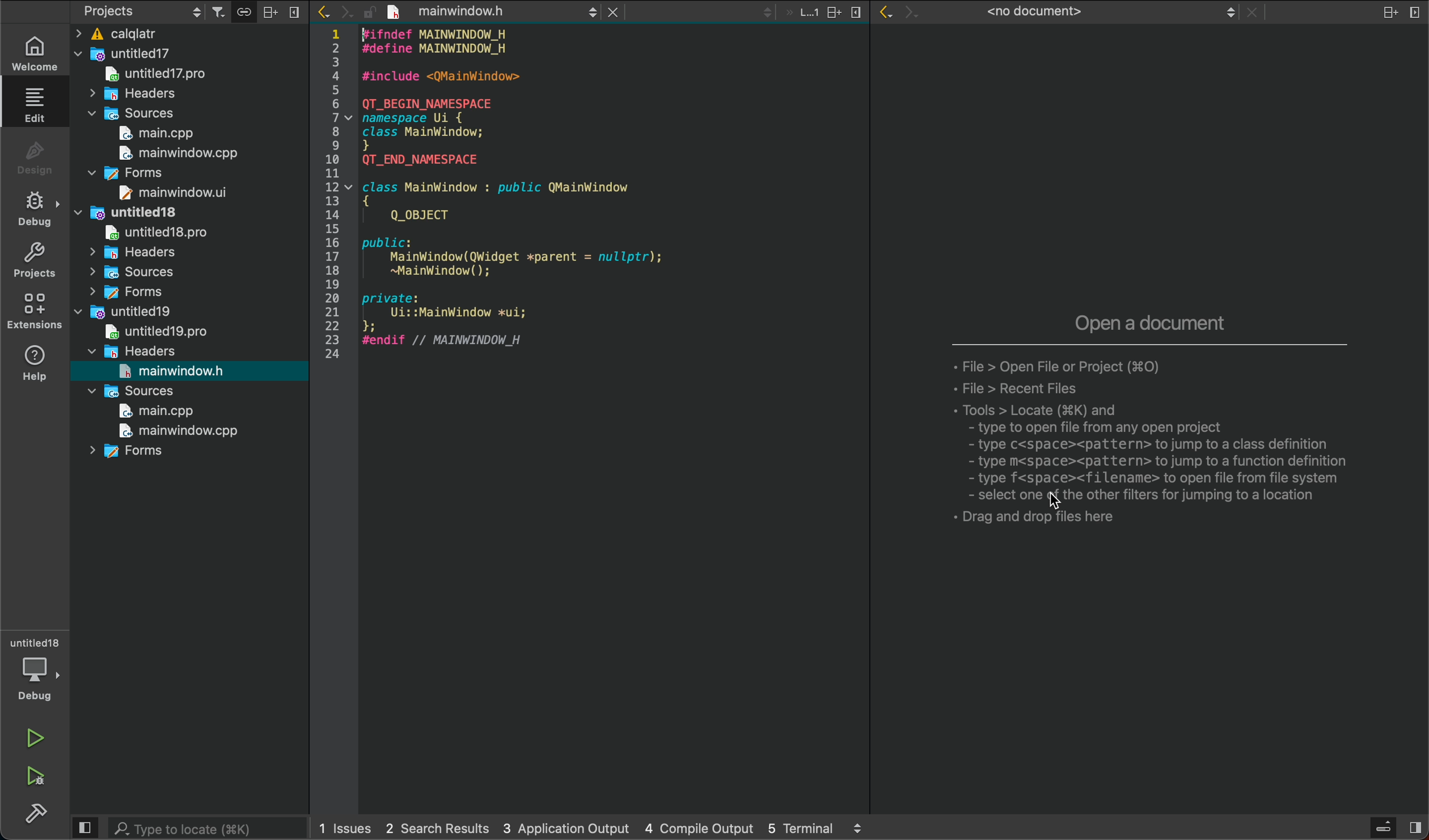 This screenshot has height=840, width=1429. Describe the element at coordinates (35, 261) in the screenshot. I see `projects` at that location.